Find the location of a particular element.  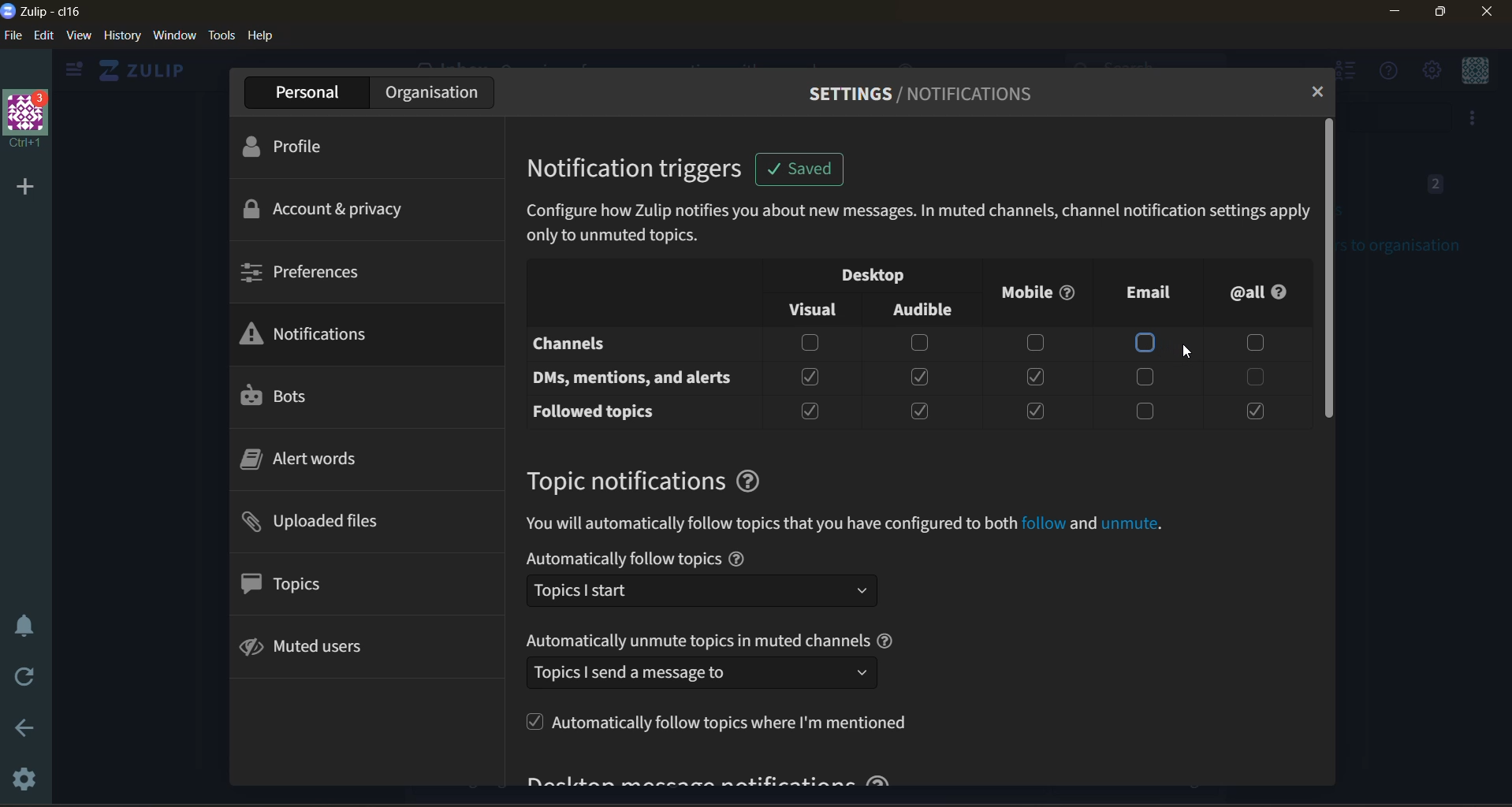

checkbox is located at coordinates (810, 411).